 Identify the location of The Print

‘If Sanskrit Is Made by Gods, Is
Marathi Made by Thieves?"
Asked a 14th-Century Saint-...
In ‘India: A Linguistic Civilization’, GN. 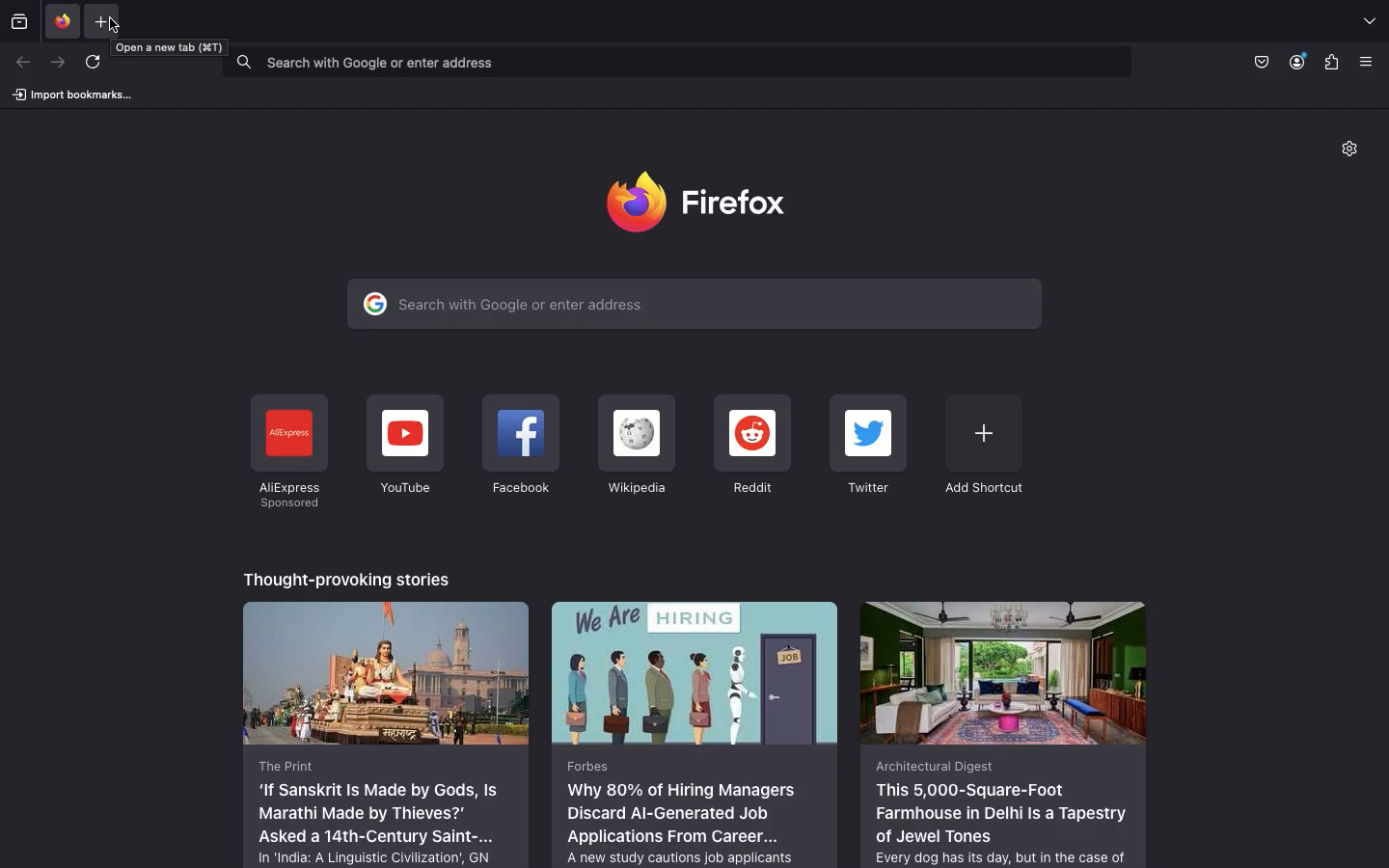
(387, 733).